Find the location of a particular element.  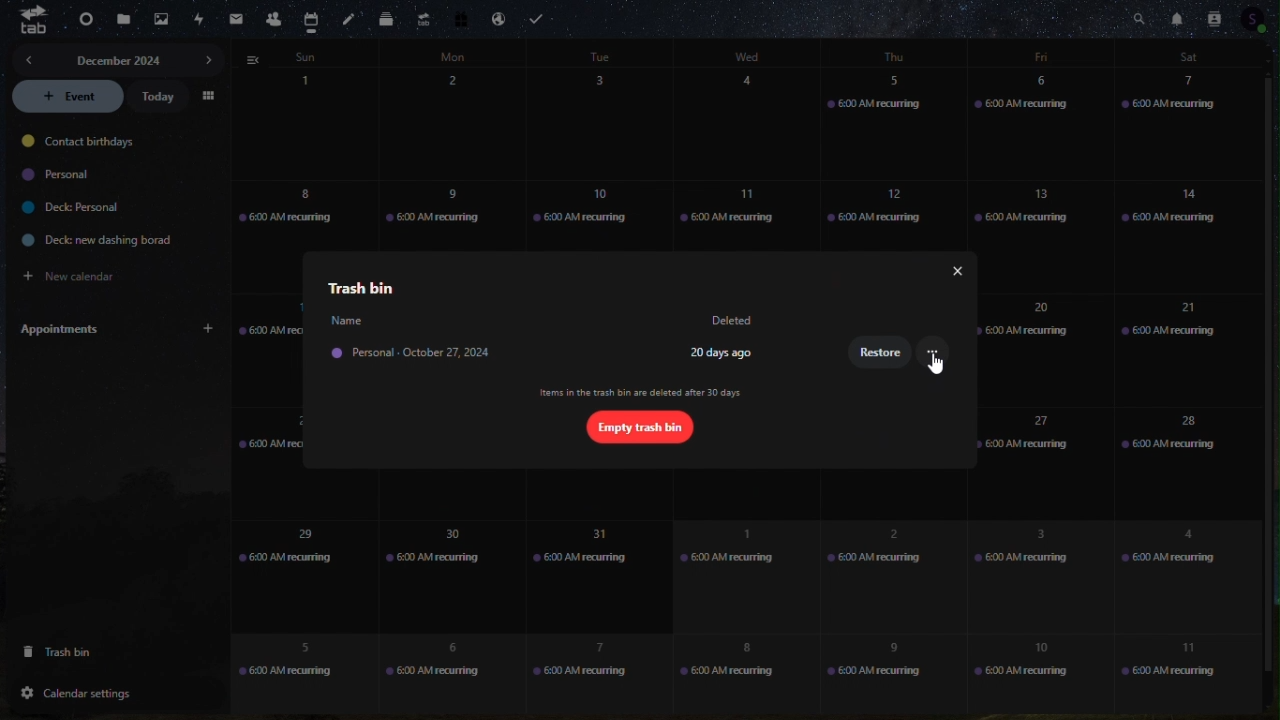

empty trash bin is located at coordinates (638, 426).